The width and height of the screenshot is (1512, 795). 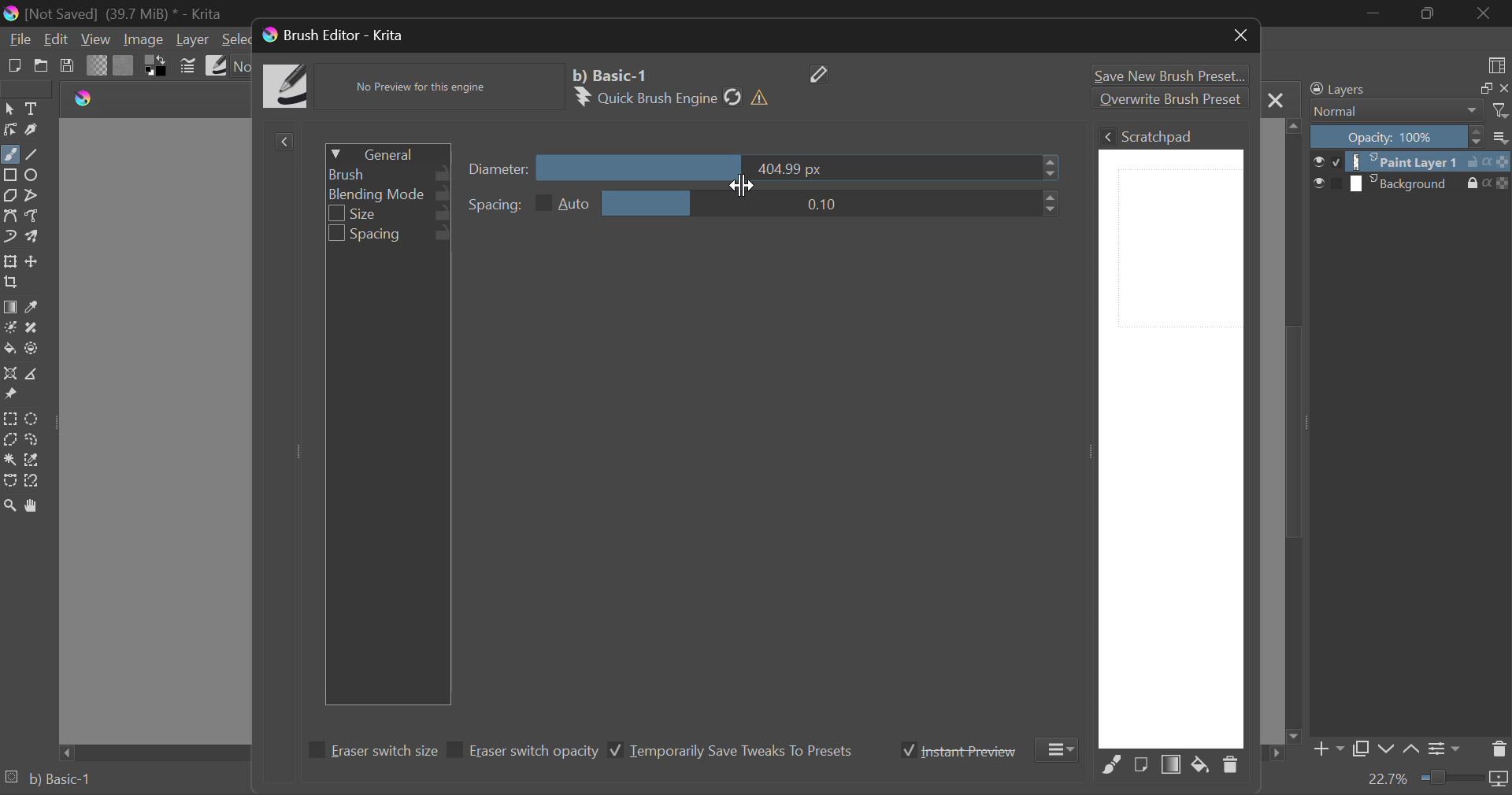 I want to click on Restore Down, so click(x=1374, y=15).